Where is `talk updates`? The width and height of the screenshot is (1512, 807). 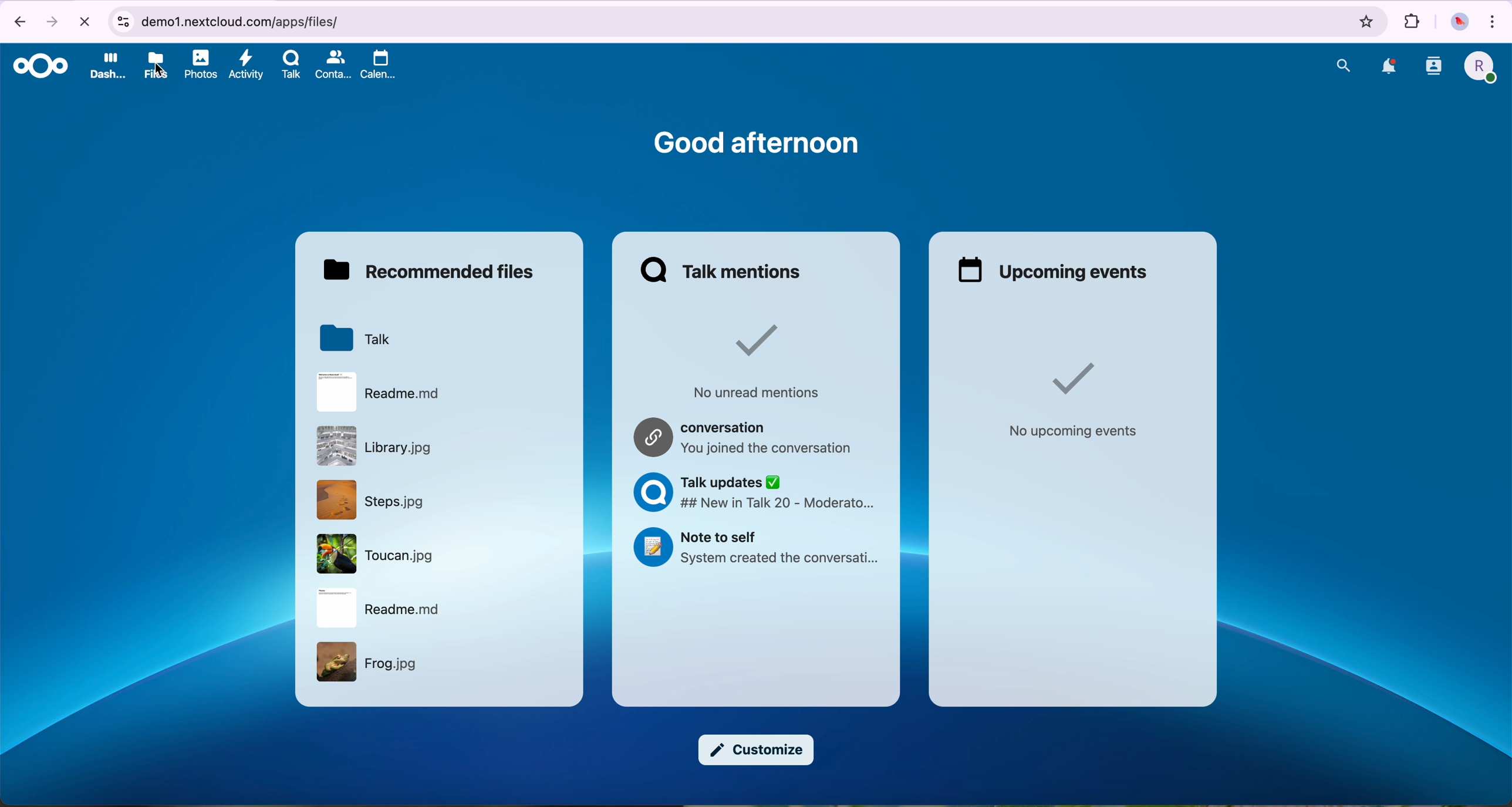
talk updates is located at coordinates (754, 494).